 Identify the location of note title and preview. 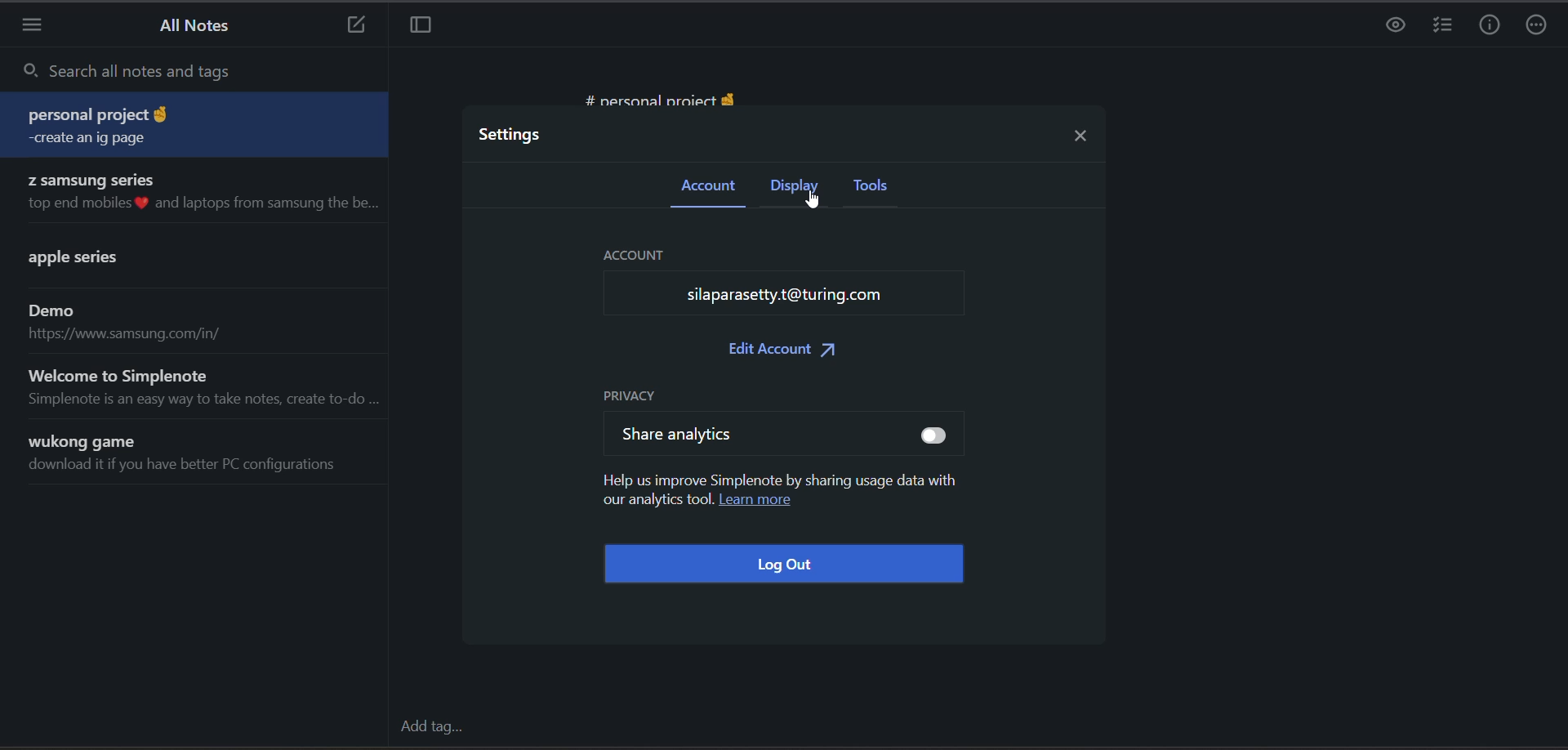
(206, 386).